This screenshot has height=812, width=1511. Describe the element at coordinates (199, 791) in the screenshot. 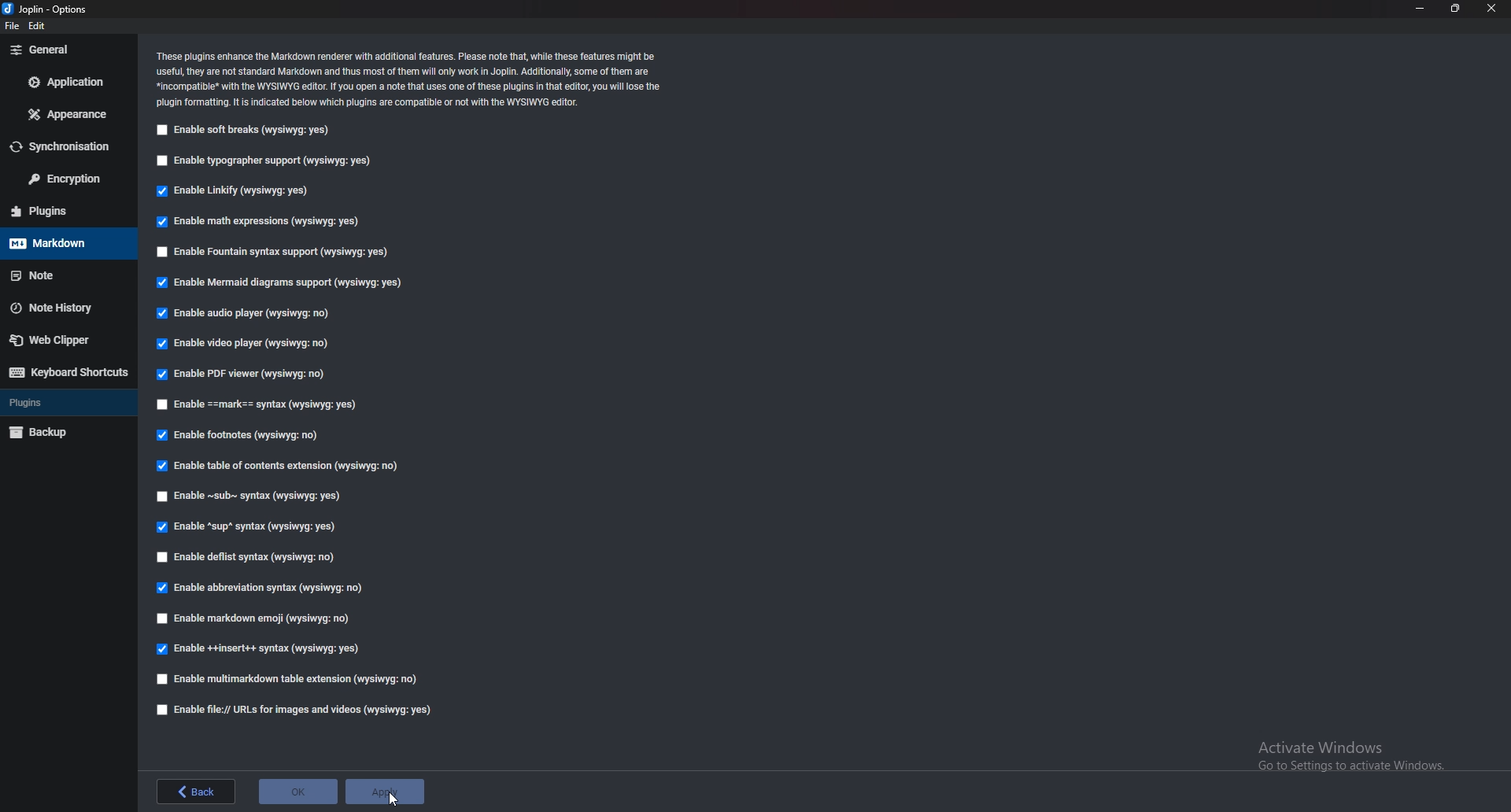

I see `back` at that location.